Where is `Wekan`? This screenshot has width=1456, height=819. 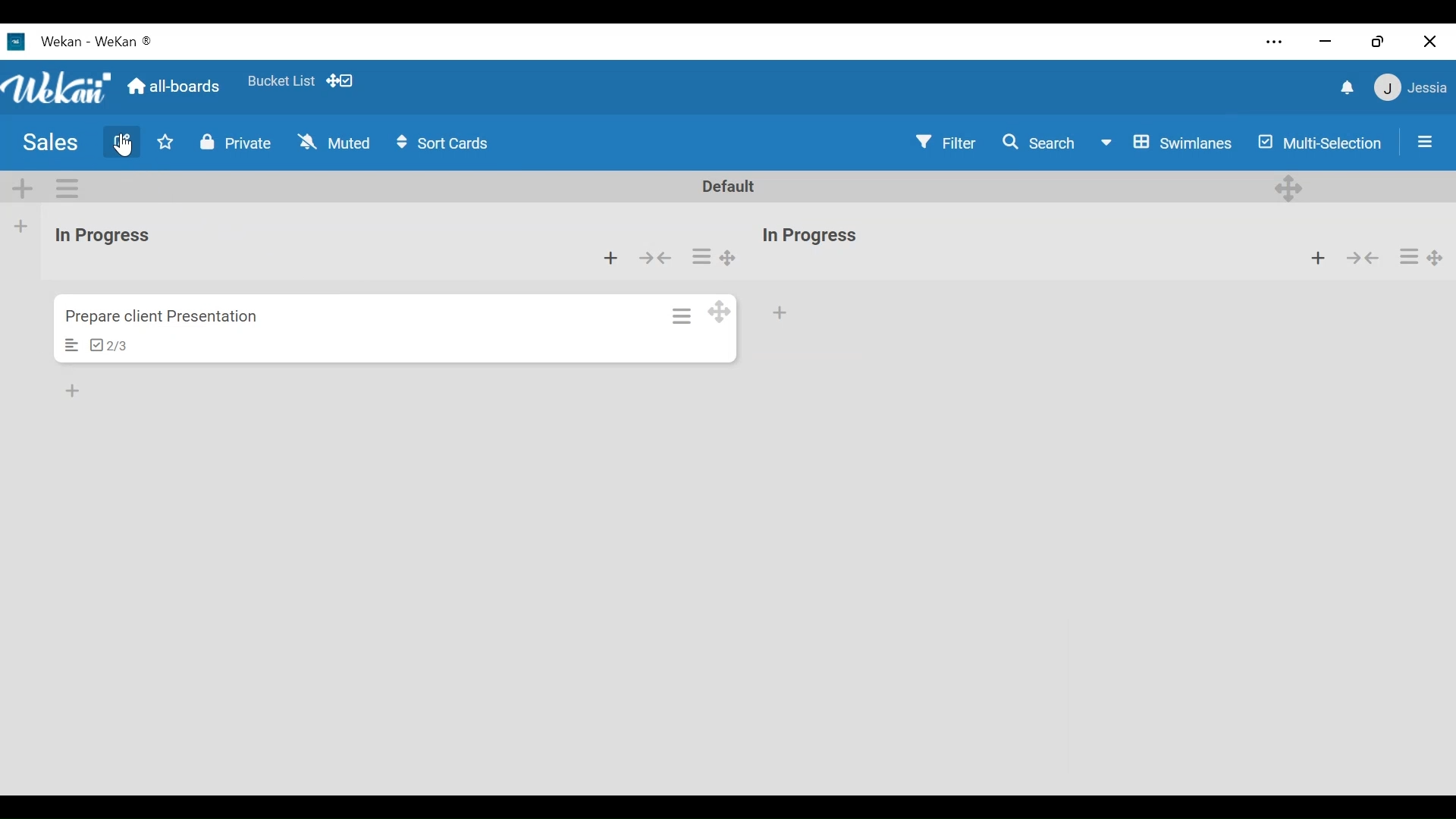 Wekan is located at coordinates (81, 40).